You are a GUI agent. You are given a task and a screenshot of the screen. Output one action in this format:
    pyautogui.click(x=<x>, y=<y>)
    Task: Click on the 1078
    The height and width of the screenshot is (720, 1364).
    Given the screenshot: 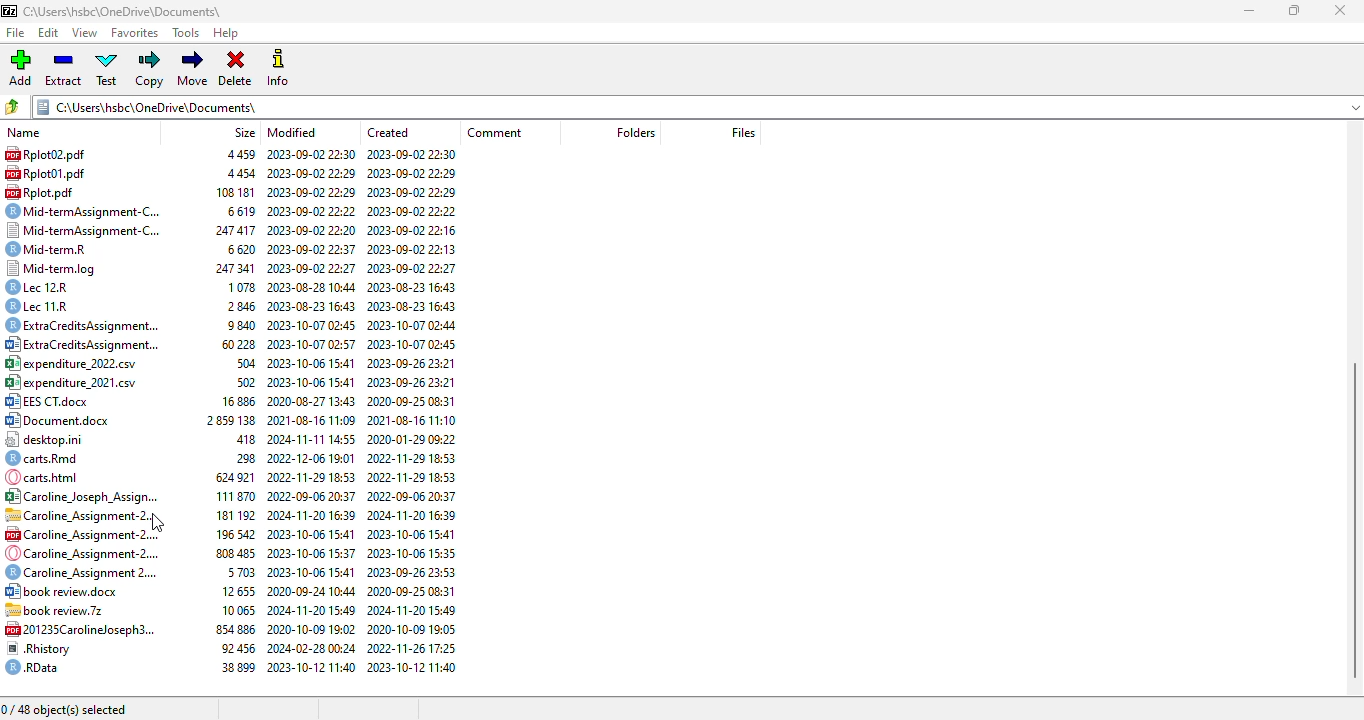 What is the action you would take?
    pyautogui.click(x=242, y=286)
    